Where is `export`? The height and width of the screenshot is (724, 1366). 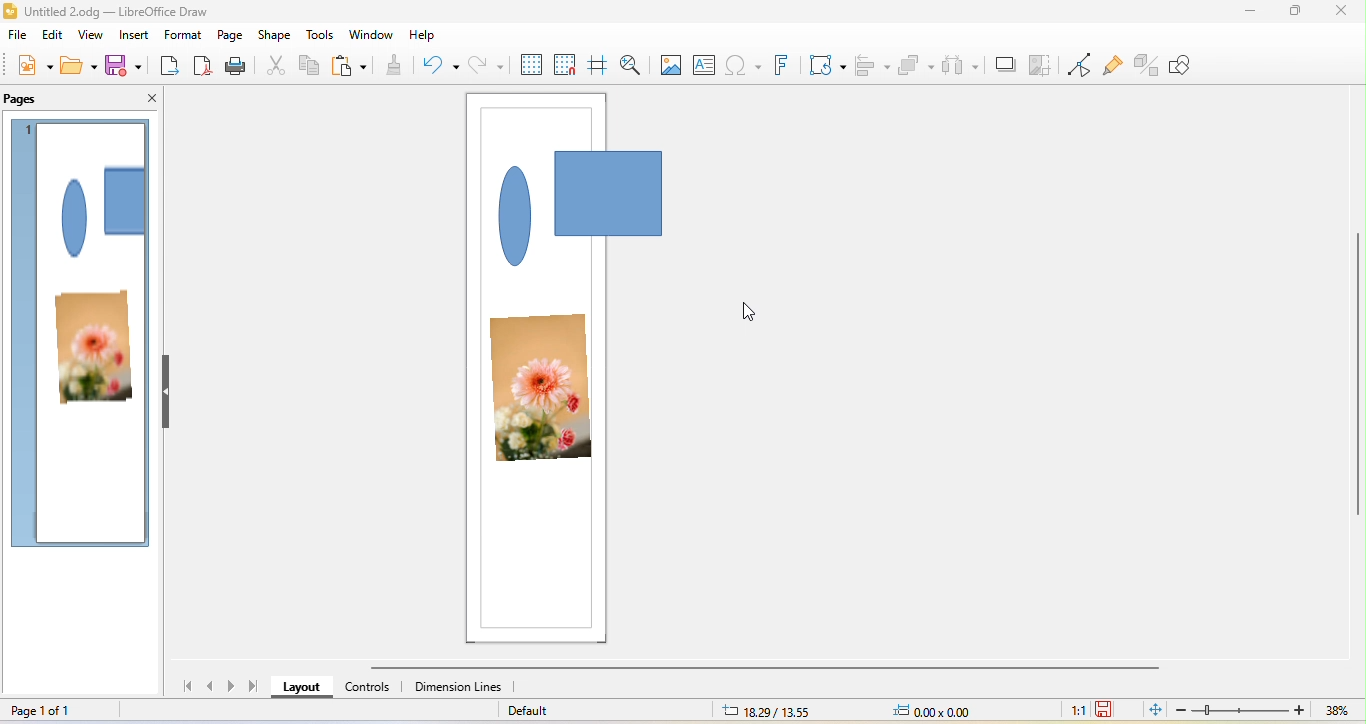
export is located at coordinates (170, 67).